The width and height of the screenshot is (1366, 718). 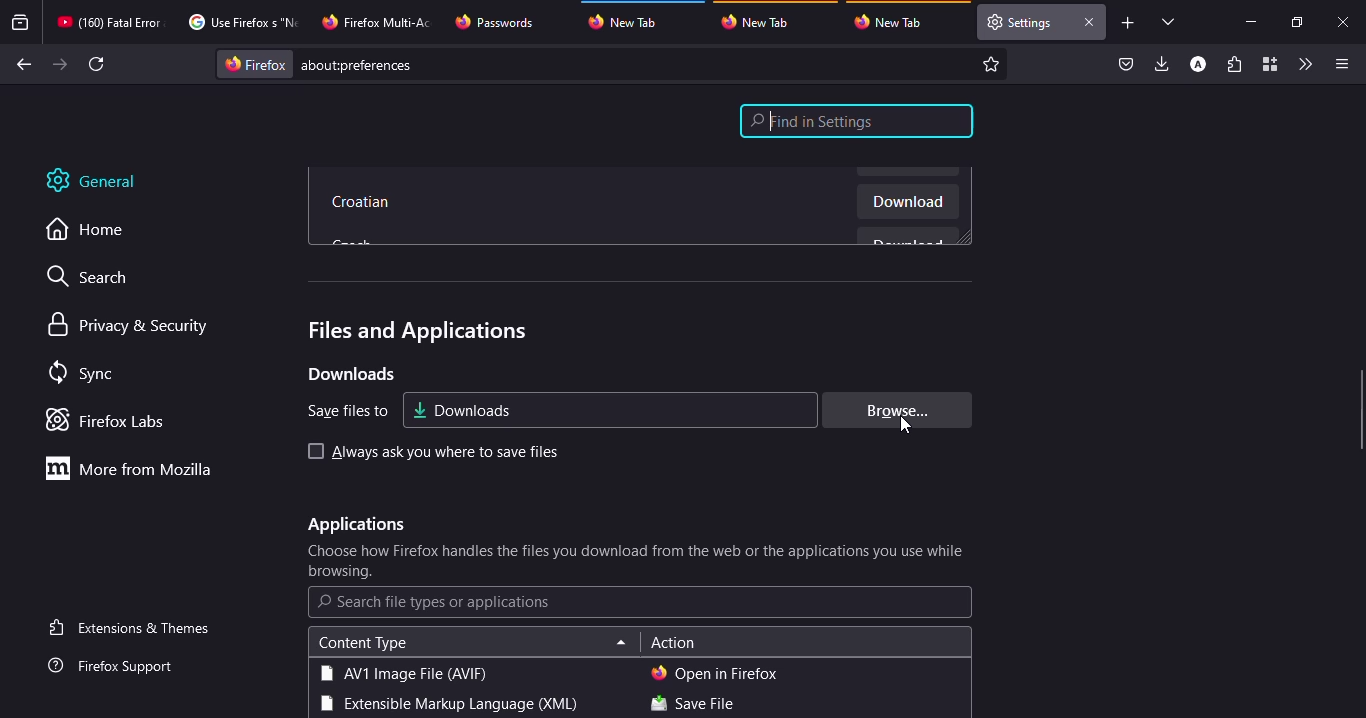 What do you see at coordinates (632, 19) in the screenshot?
I see `tab` at bounding box center [632, 19].